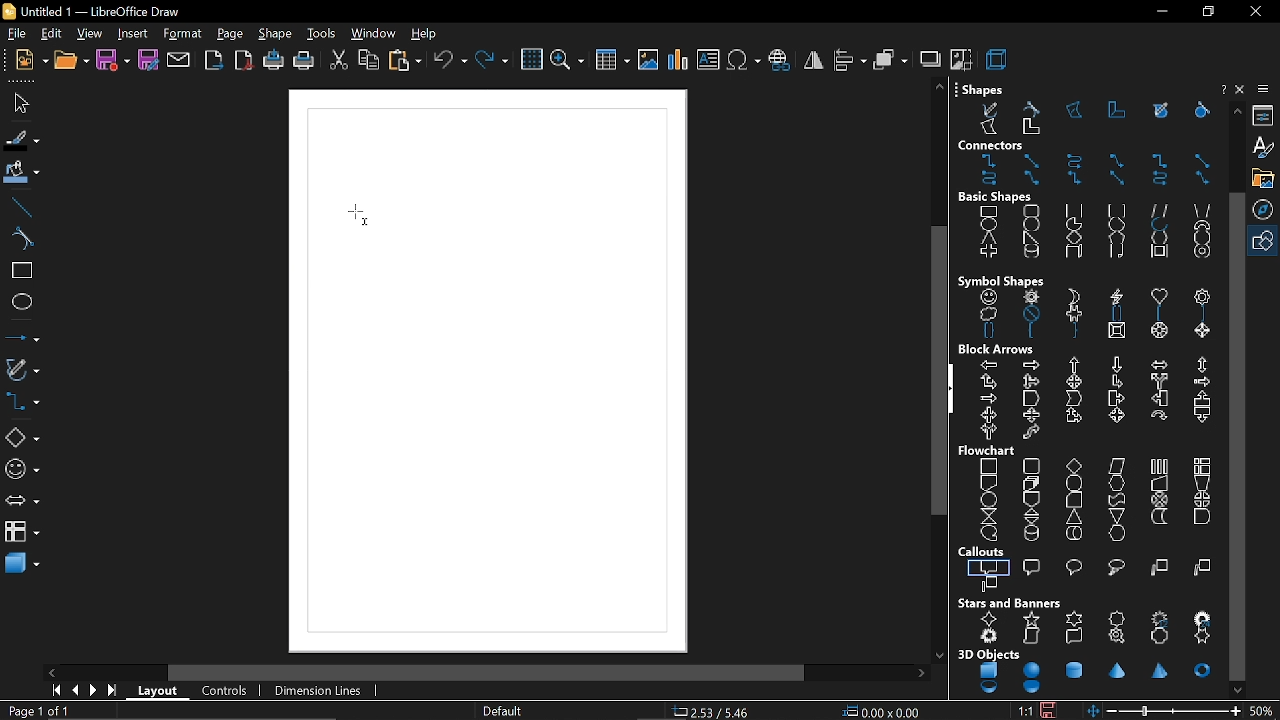 This screenshot has width=1280, height=720. What do you see at coordinates (324, 35) in the screenshot?
I see `tools` at bounding box center [324, 35].